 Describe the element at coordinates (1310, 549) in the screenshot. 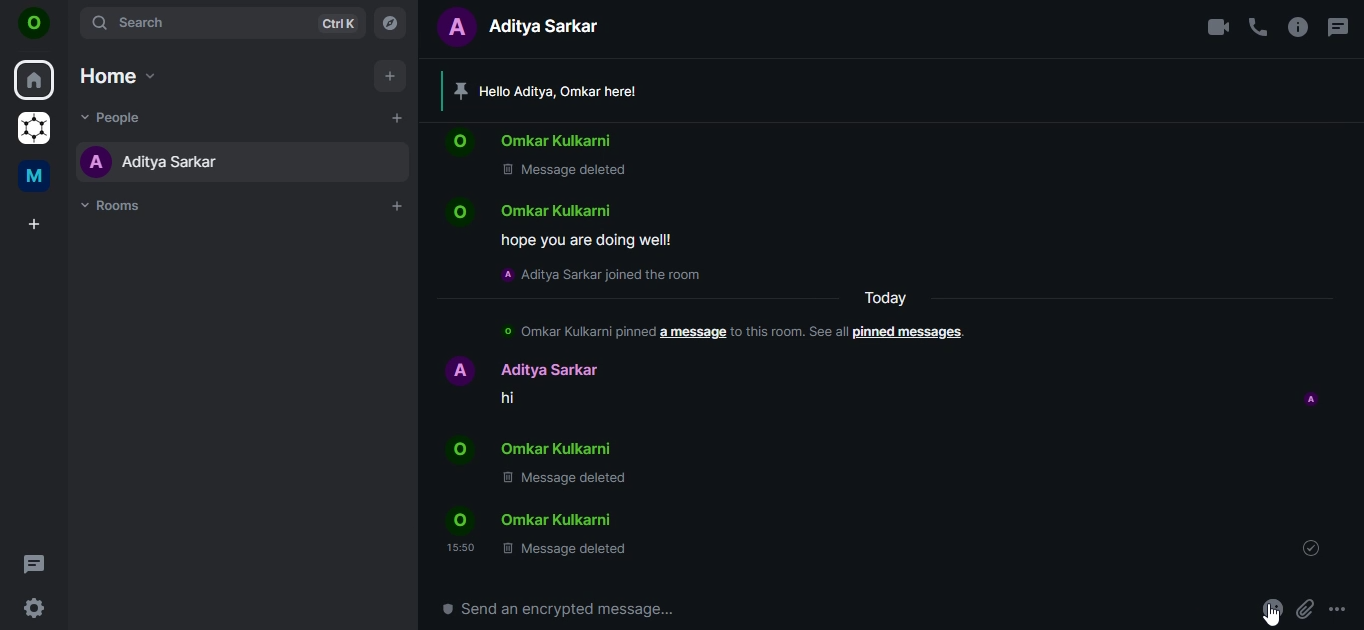

I see `message sent` at that location.